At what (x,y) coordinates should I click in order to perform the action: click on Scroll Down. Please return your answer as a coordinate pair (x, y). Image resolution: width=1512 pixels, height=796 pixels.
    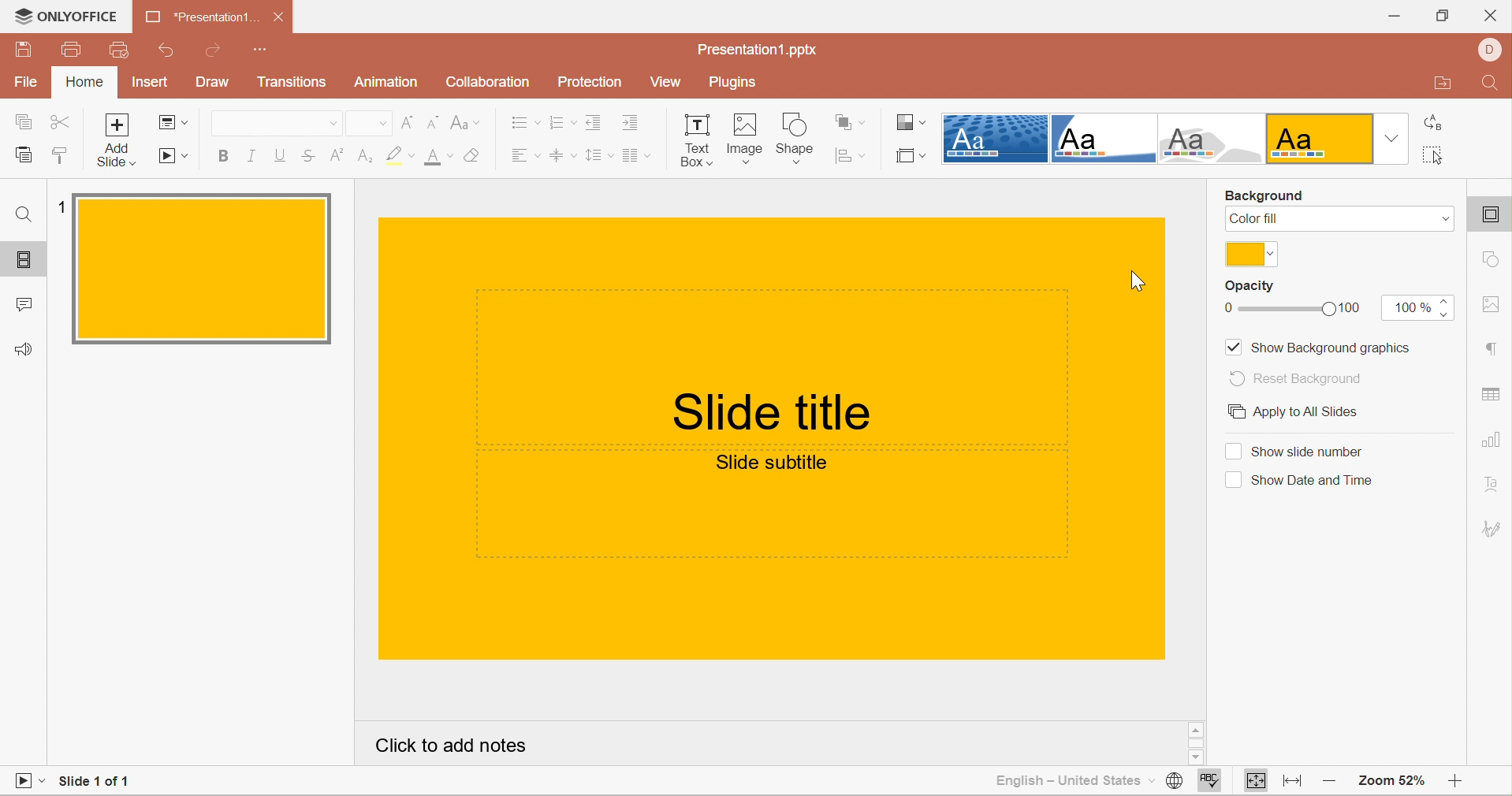
    Looking at the image, I should click on (1454, 760).